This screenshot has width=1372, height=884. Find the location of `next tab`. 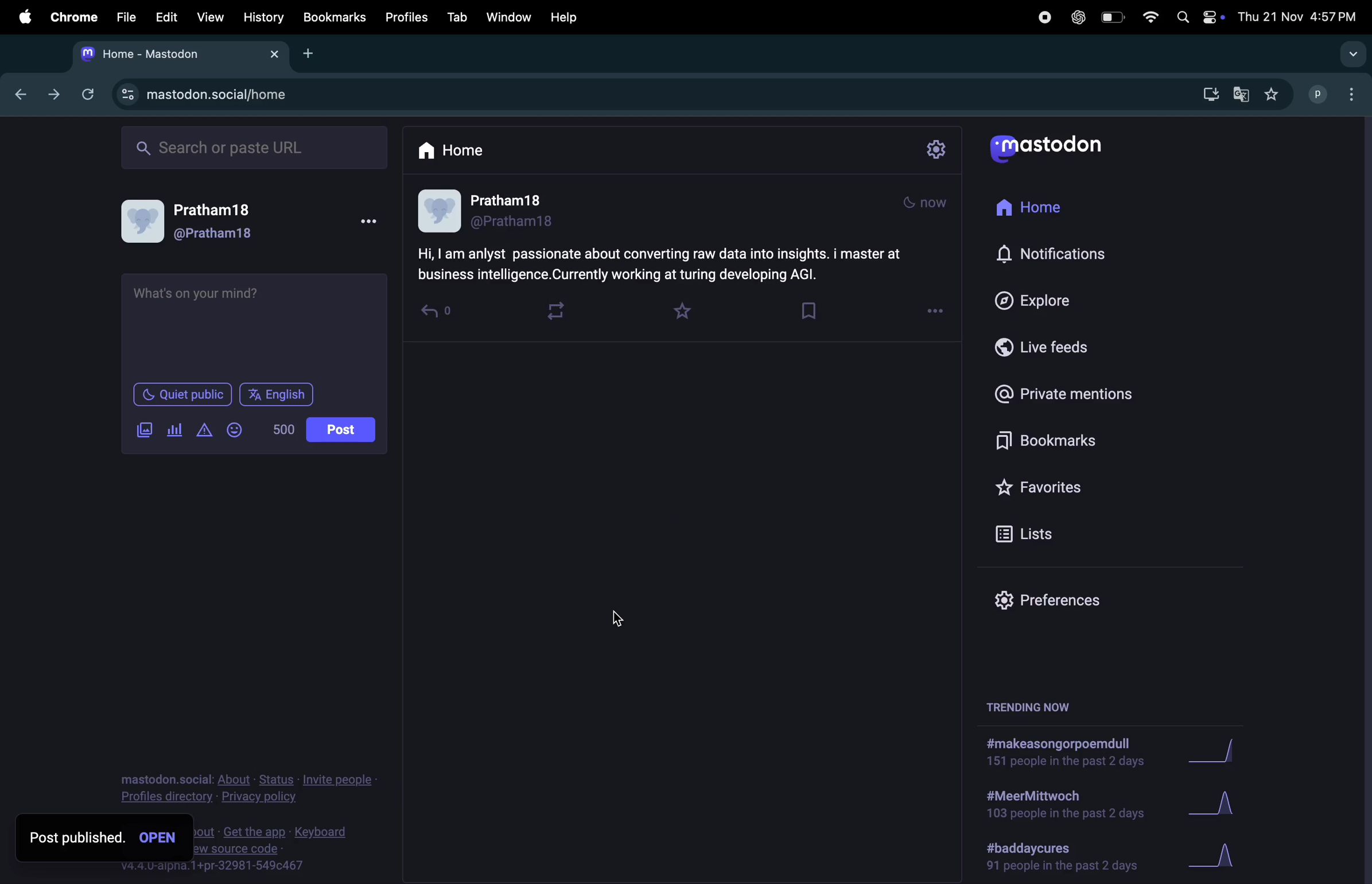

next tab is located at coordinates (55, 95).